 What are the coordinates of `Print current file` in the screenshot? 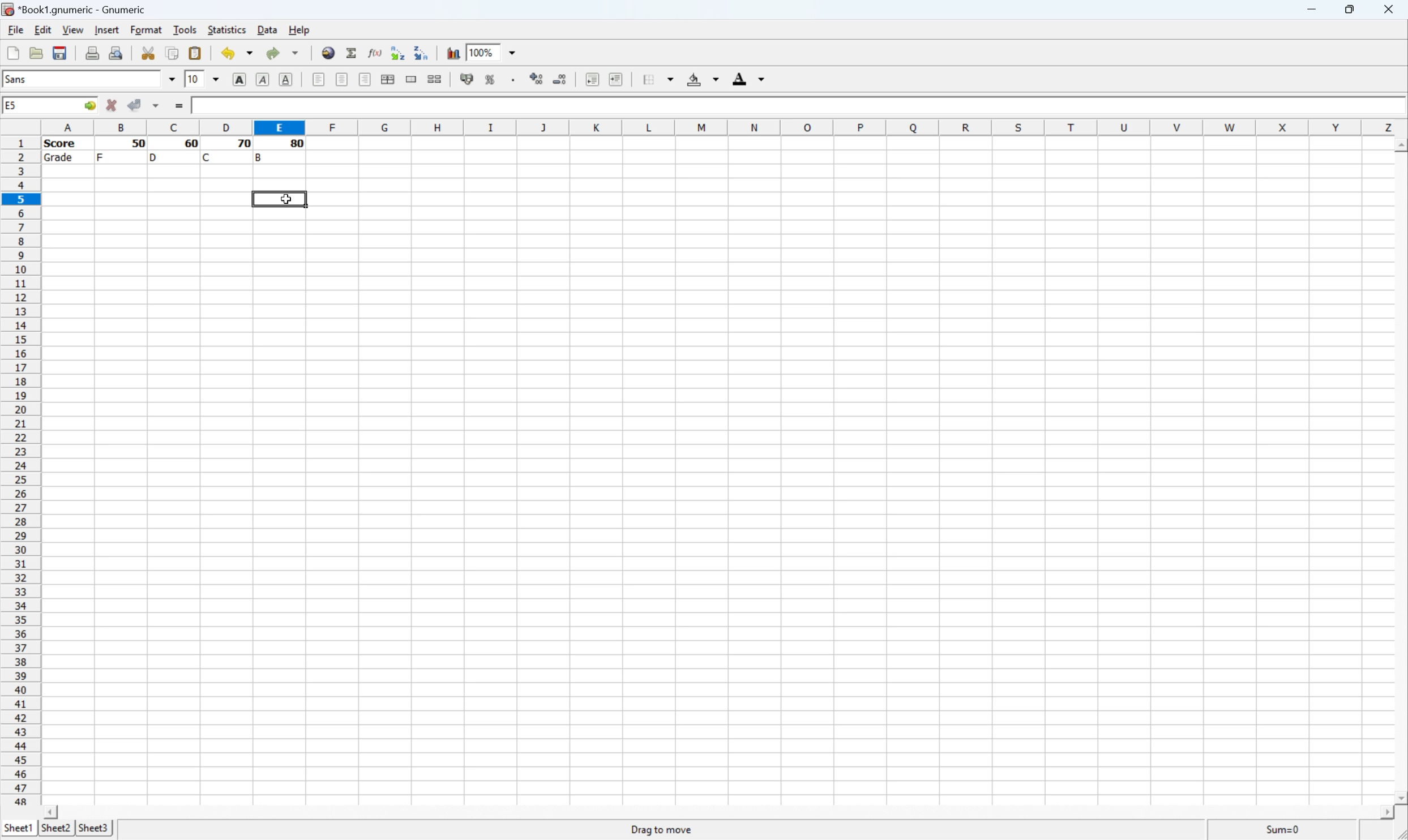 It's located at (90, 53).